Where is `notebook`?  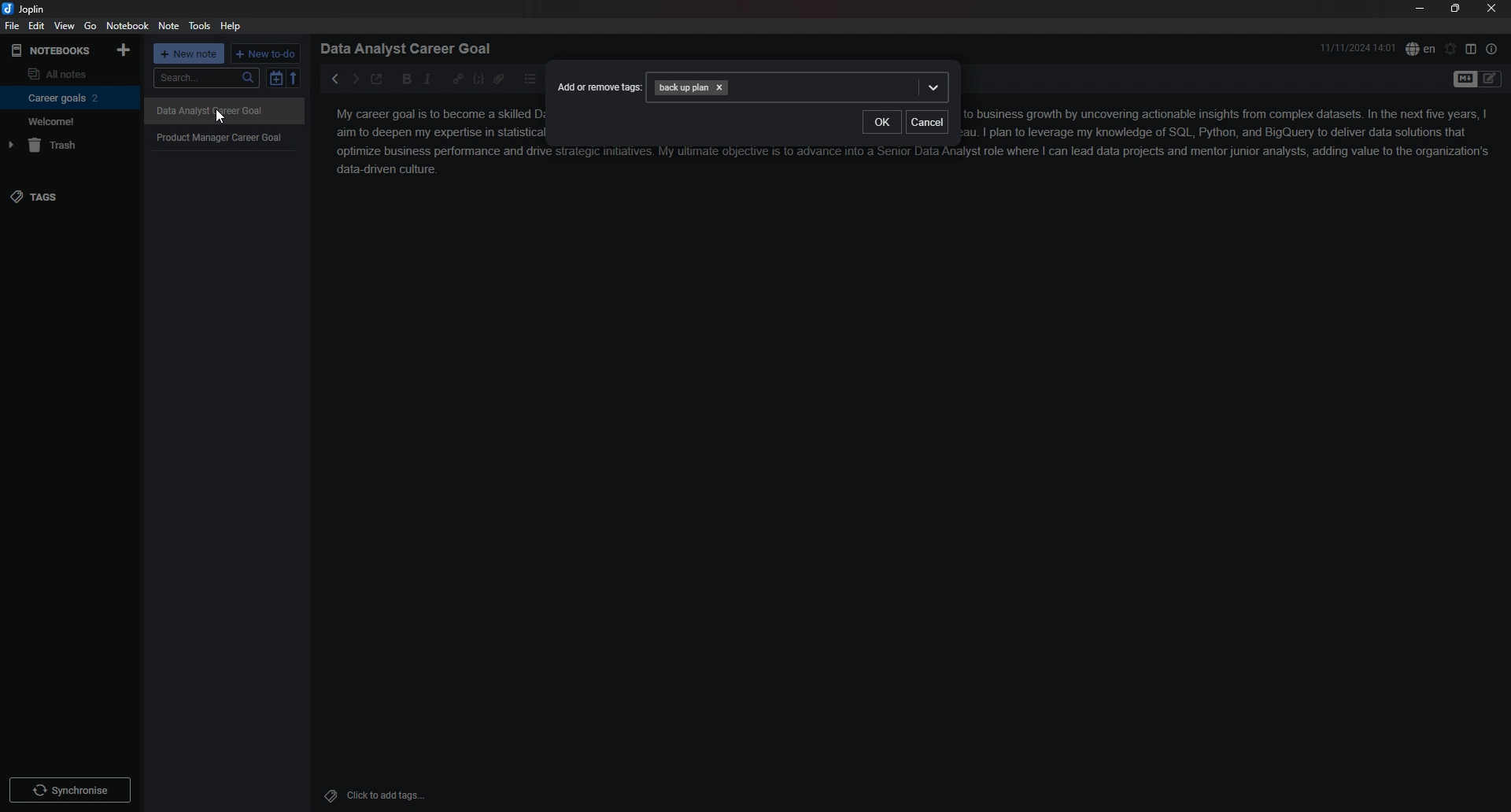 notebook is located at coordinates (127, 25).